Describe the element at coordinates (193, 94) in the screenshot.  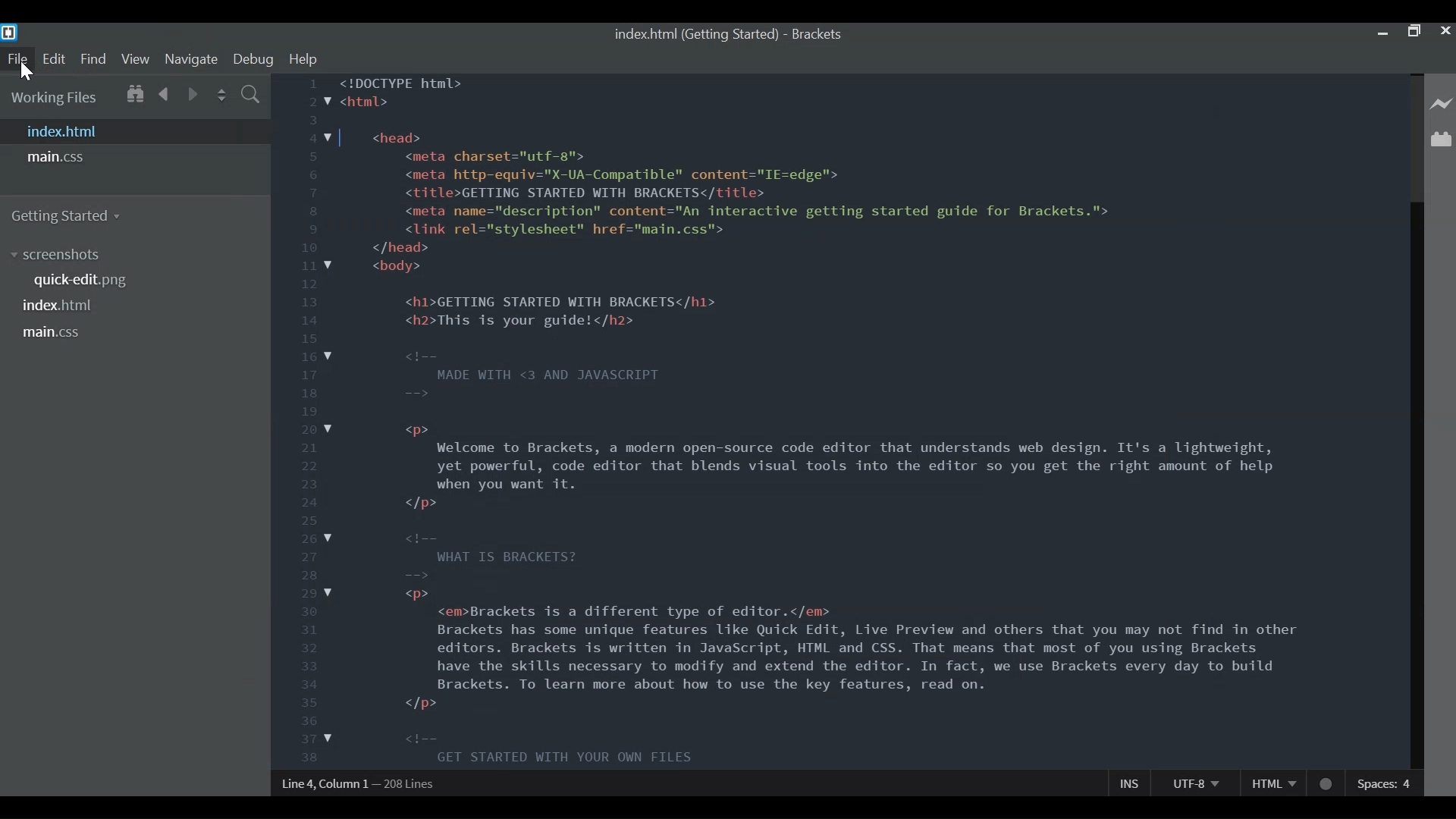
I see `Navigate Forward` at that location.